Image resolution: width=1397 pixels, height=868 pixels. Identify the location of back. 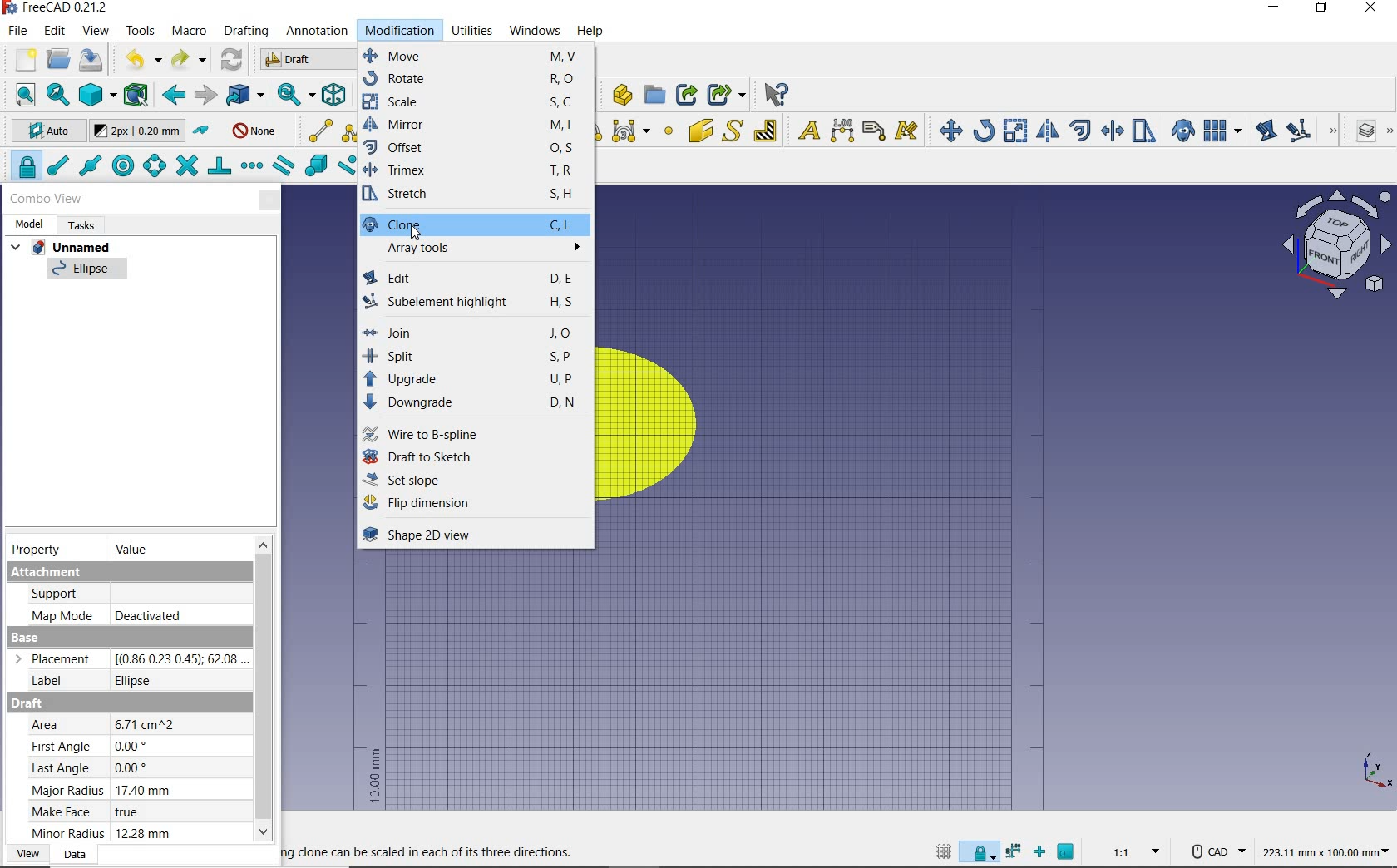
(171, 96).